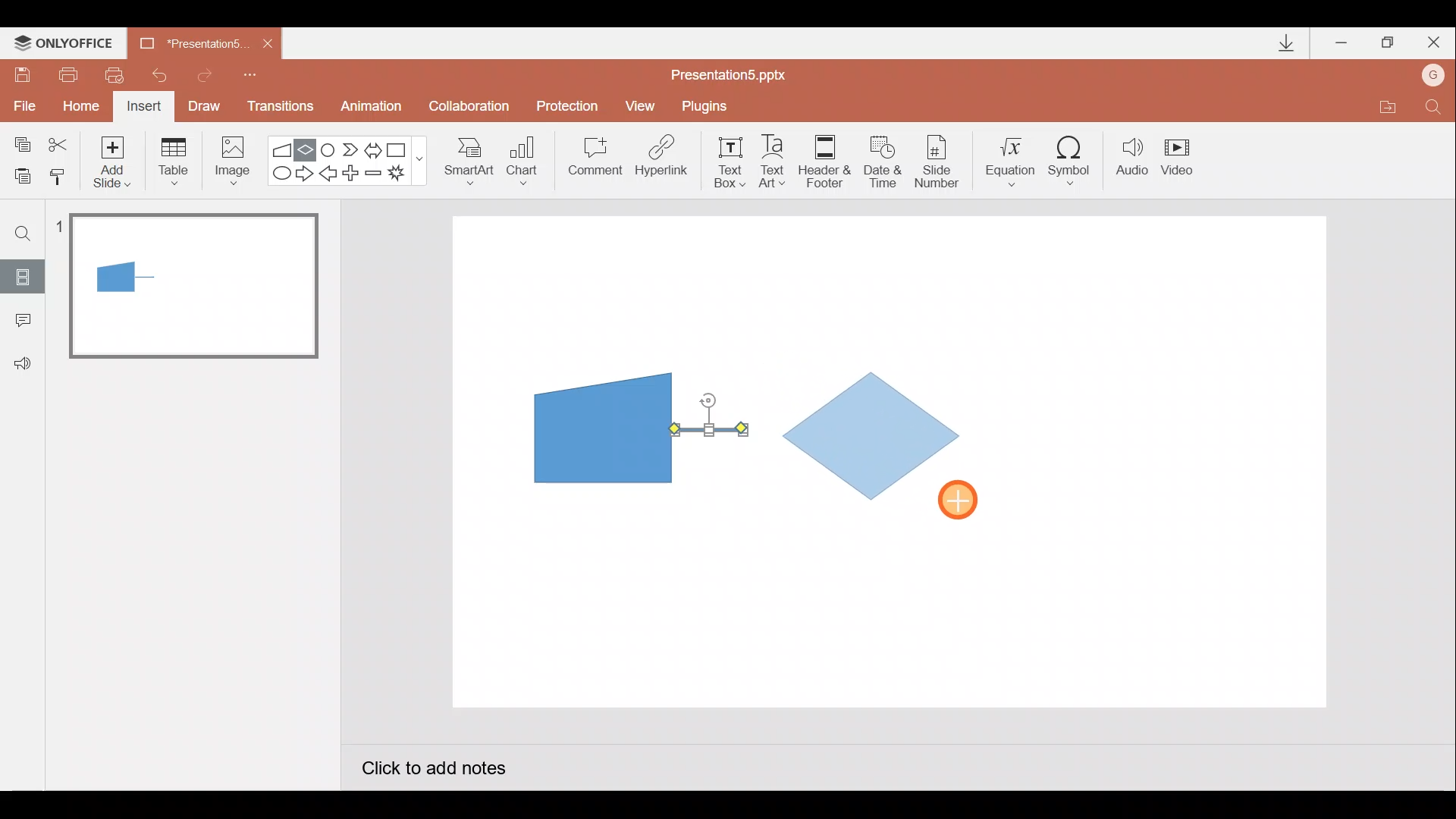  I want to click on Open file location, so click(1387, 109).